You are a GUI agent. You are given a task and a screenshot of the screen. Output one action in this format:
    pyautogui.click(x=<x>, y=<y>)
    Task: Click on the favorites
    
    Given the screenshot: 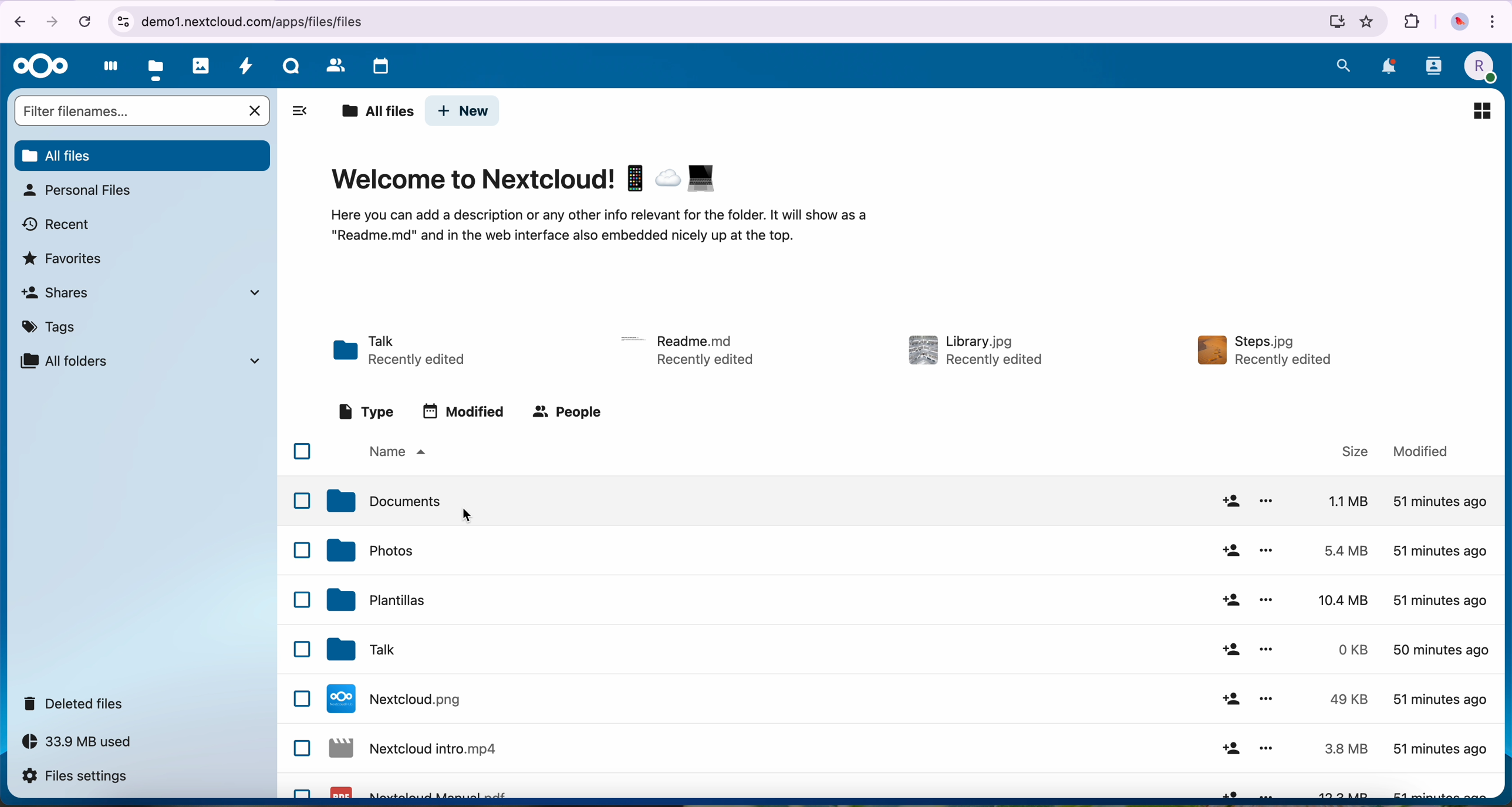 What is the action you would take?
    pyautogui.click(x=1368, y=22)
    